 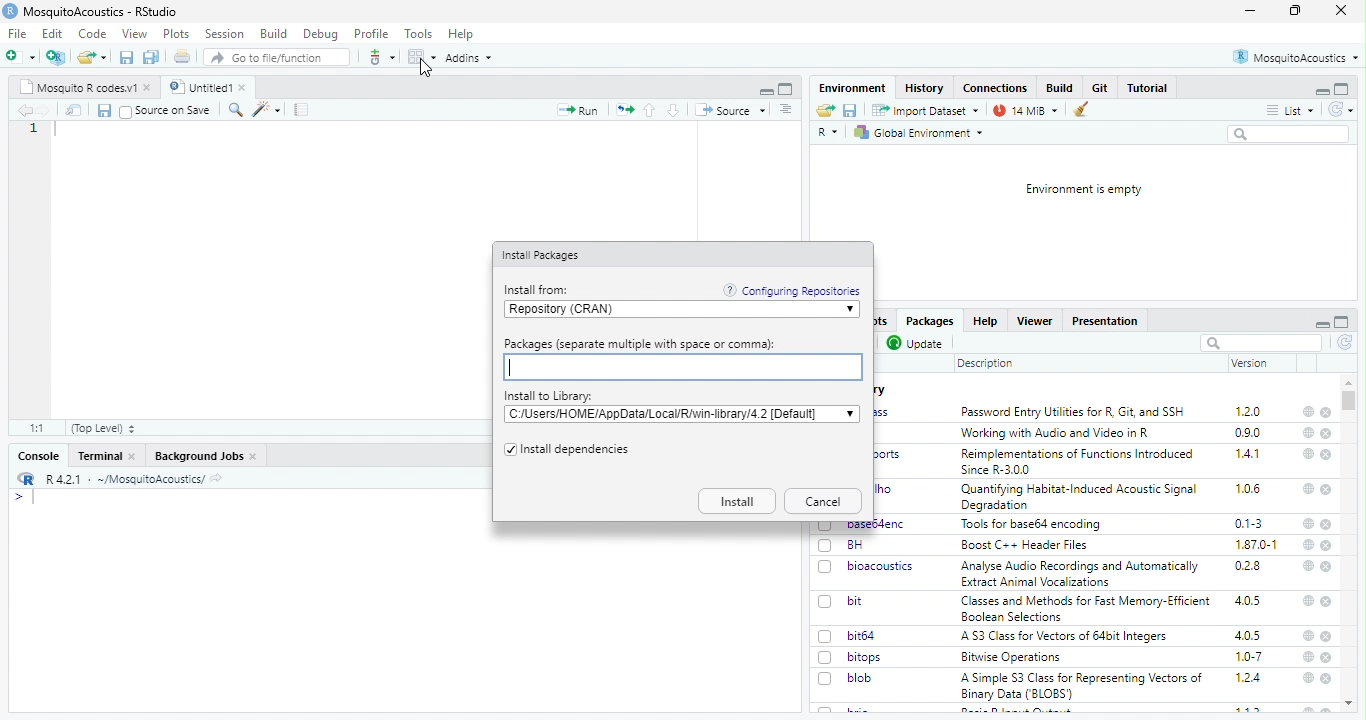 I want to click on Presentation, so click(x=1105, y=322).